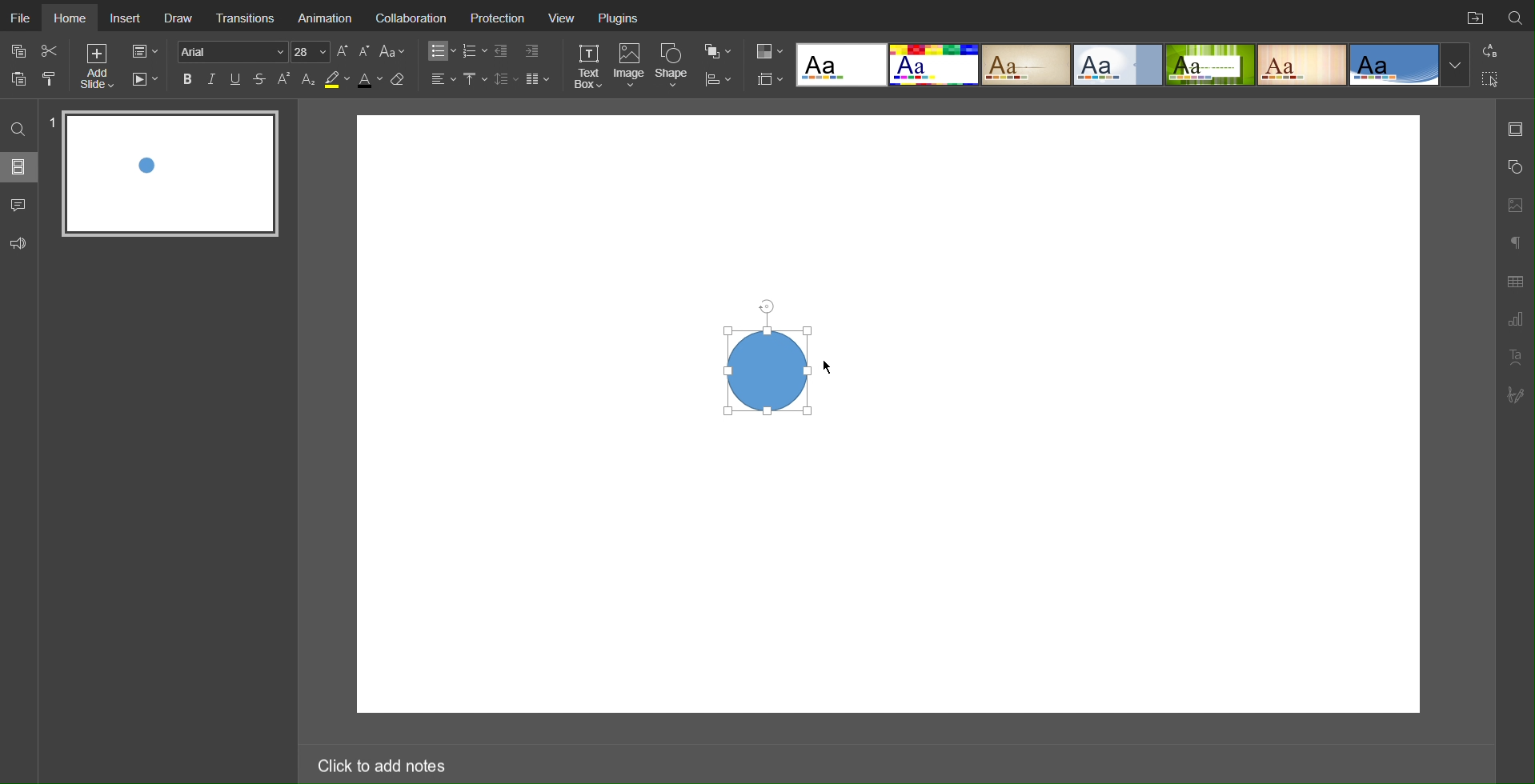 Image resolution: width=1535 pixels, height=784 pixels. I want to click on Comments, so click(20, 205).